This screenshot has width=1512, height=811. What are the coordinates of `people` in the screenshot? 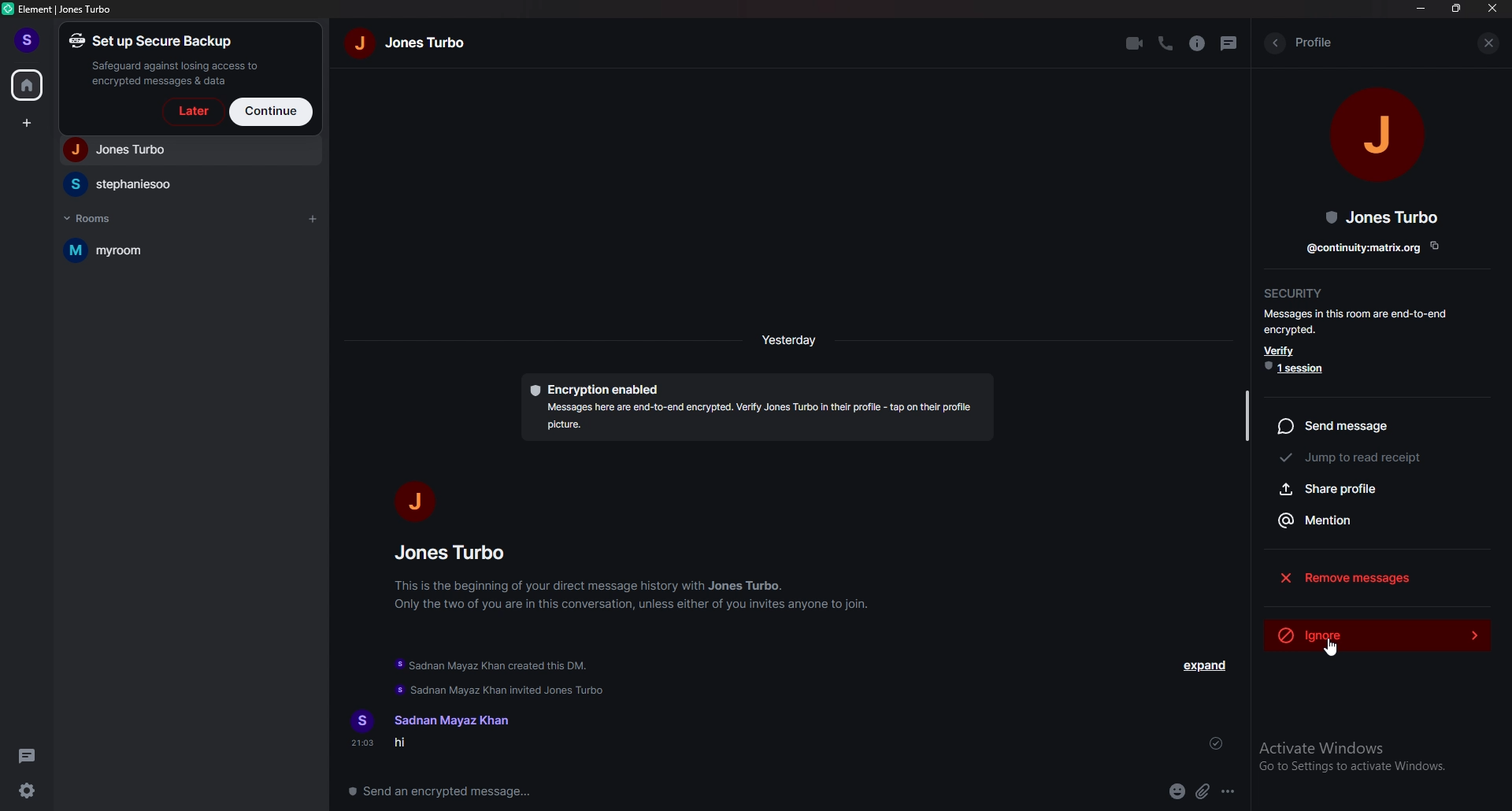 It's located at (187, 150).